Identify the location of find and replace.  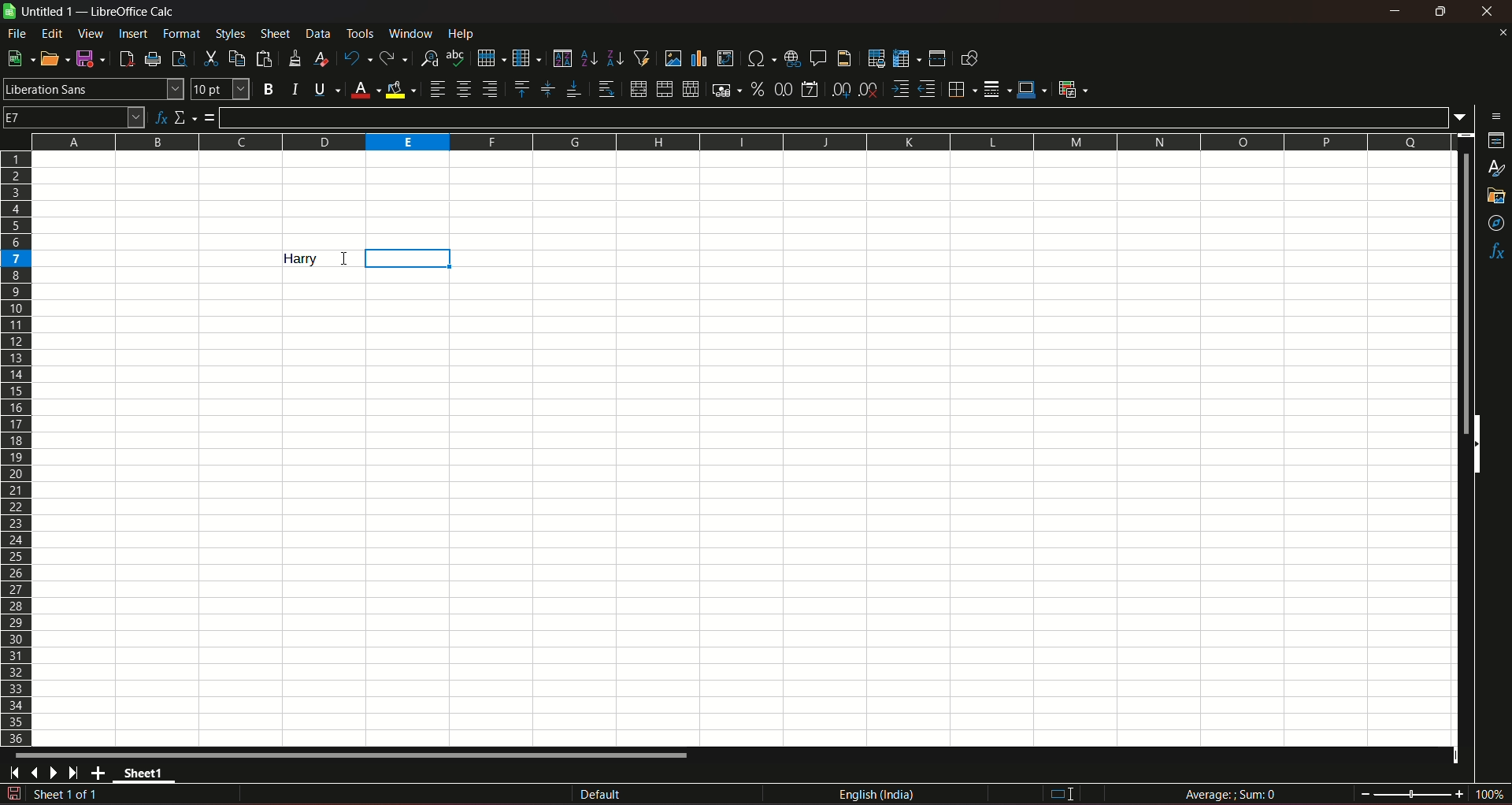
(428, 57).